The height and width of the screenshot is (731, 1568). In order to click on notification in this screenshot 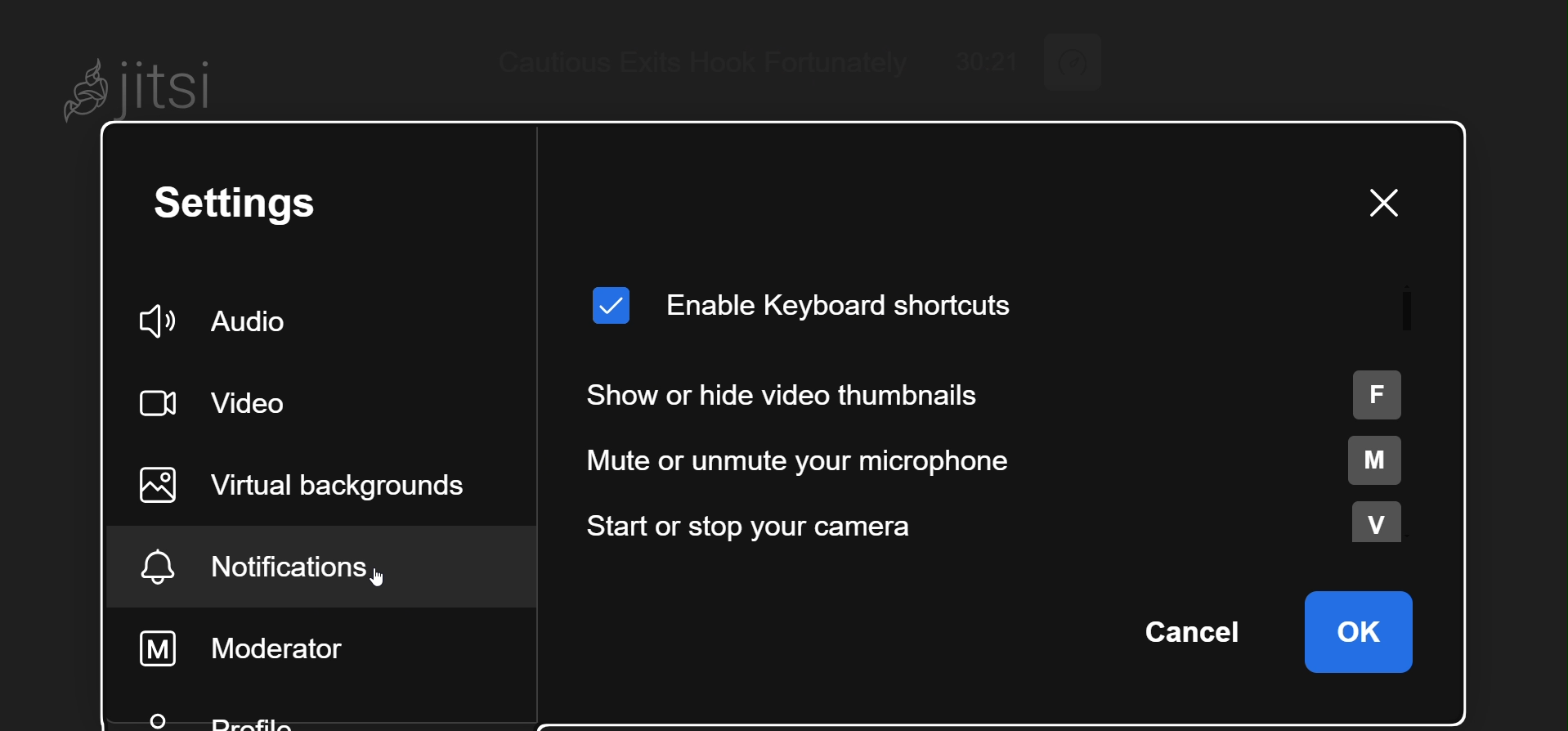, I will do `click(285, 566)`.